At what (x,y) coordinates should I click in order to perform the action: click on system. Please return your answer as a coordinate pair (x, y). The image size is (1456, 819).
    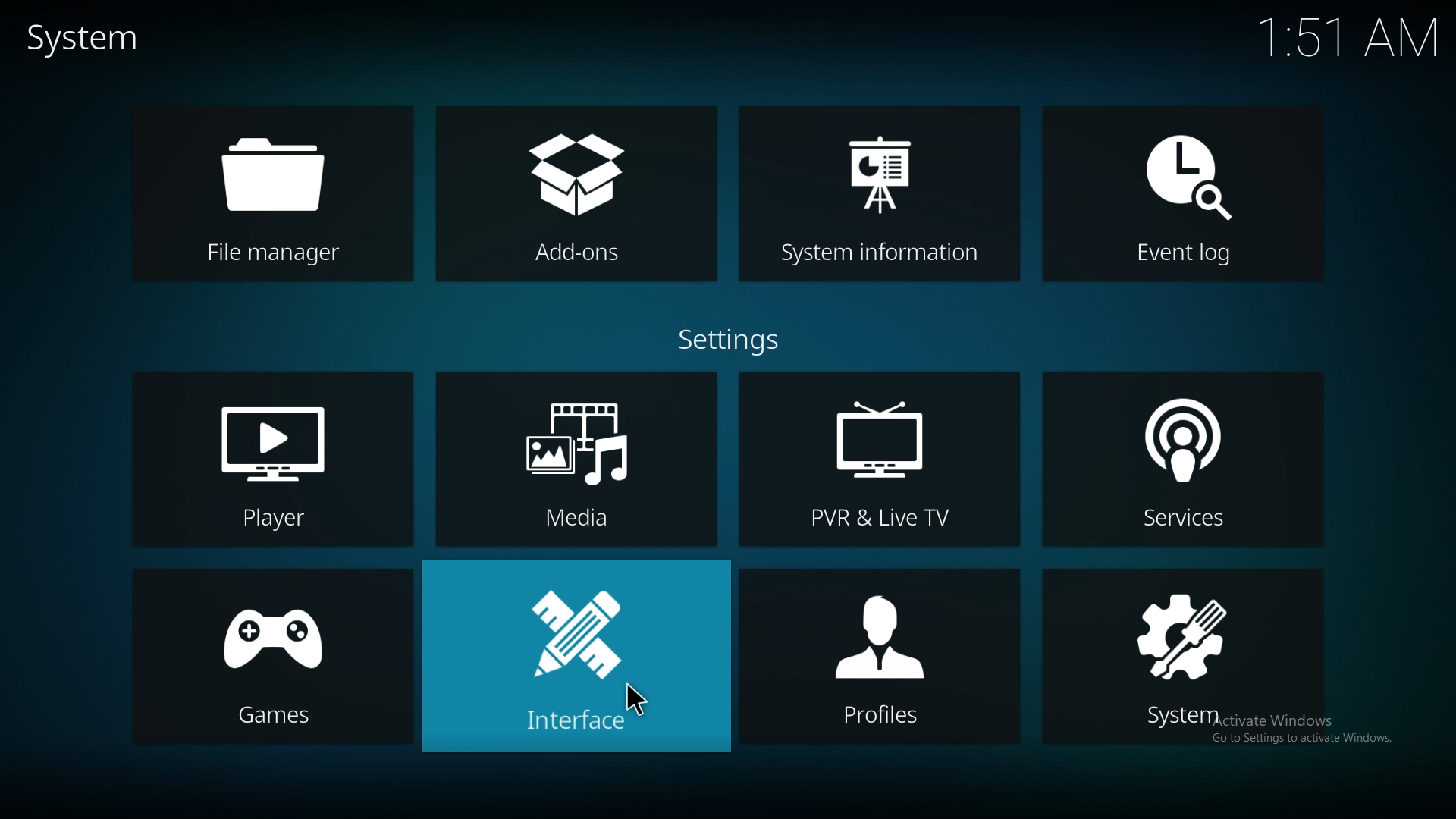
    Looking at the image, I should click on (1186, 659).